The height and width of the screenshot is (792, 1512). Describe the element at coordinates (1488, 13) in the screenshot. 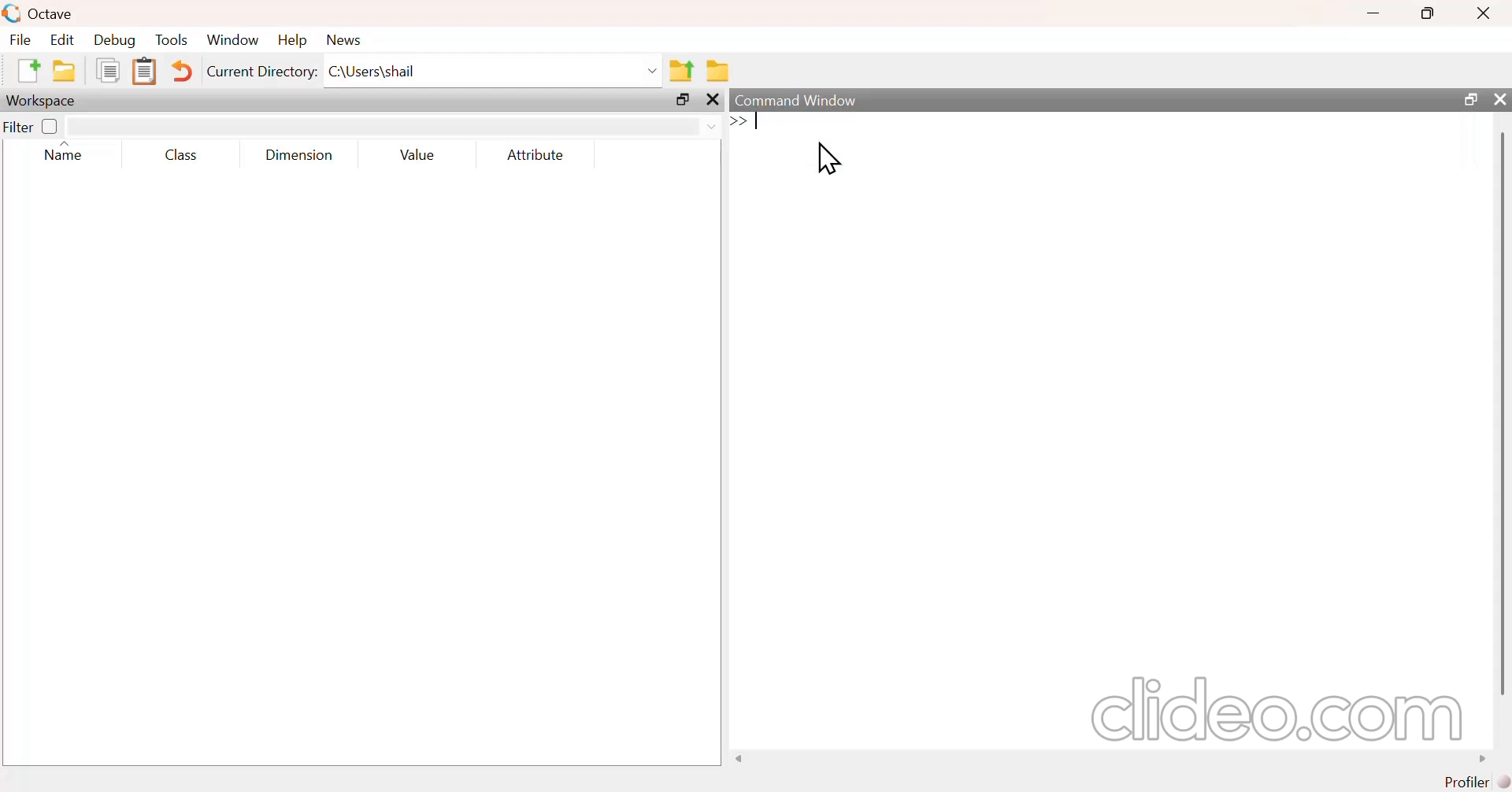

I see `close` at that location.